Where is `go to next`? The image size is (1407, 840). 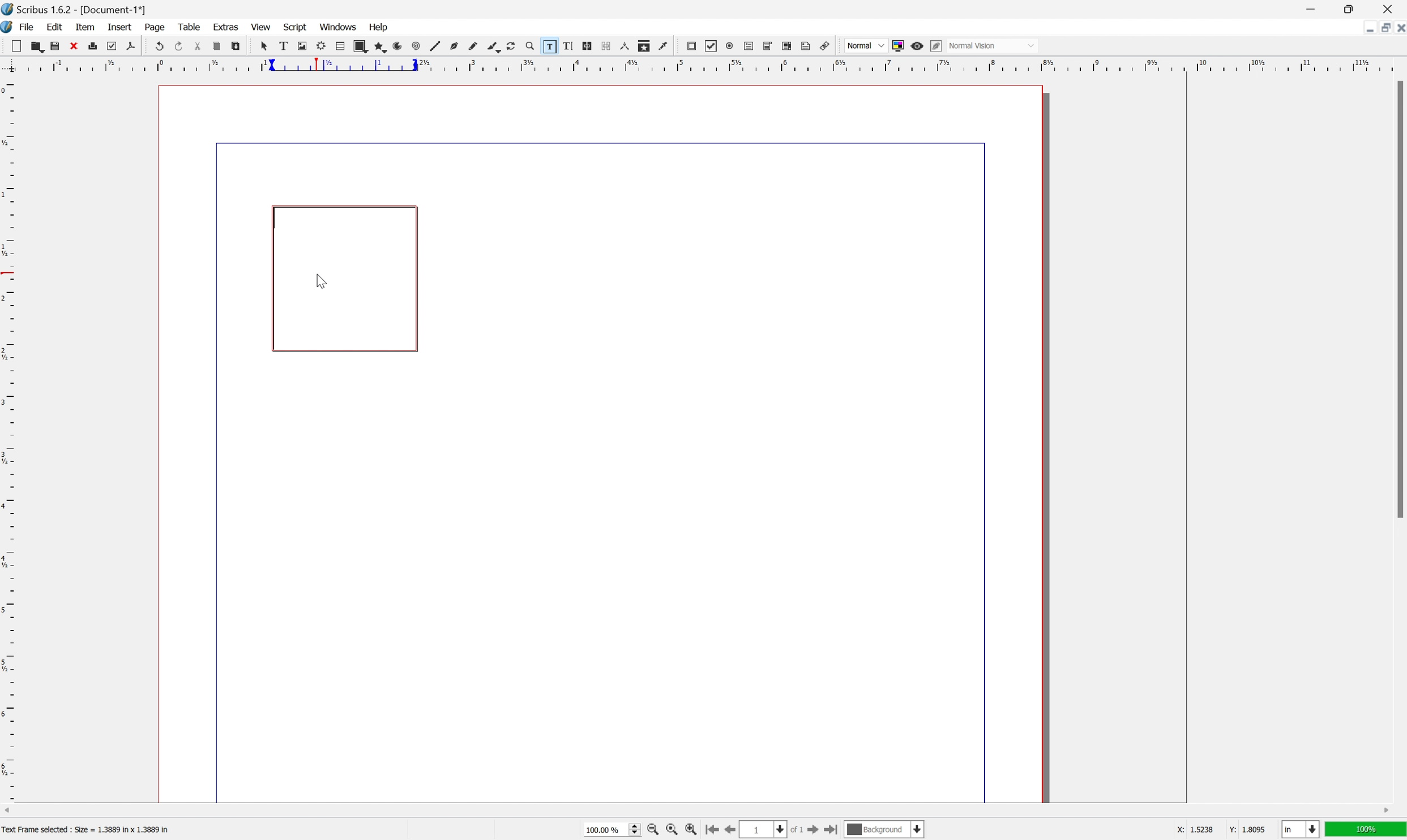 go to next is located at coordinates (819, 832).